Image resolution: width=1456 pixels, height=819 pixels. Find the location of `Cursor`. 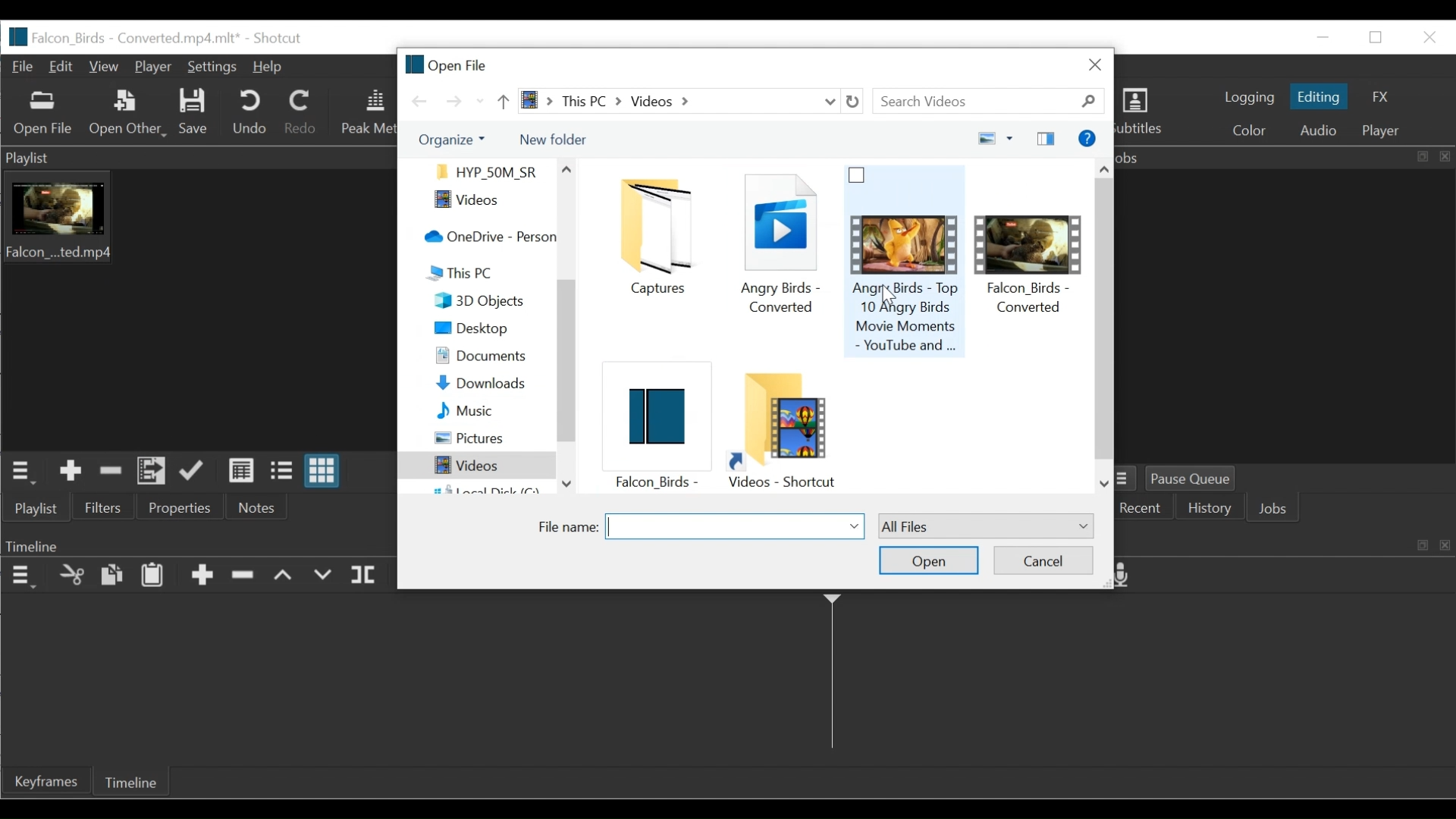

Cursor is located at coordinates (891, 297).